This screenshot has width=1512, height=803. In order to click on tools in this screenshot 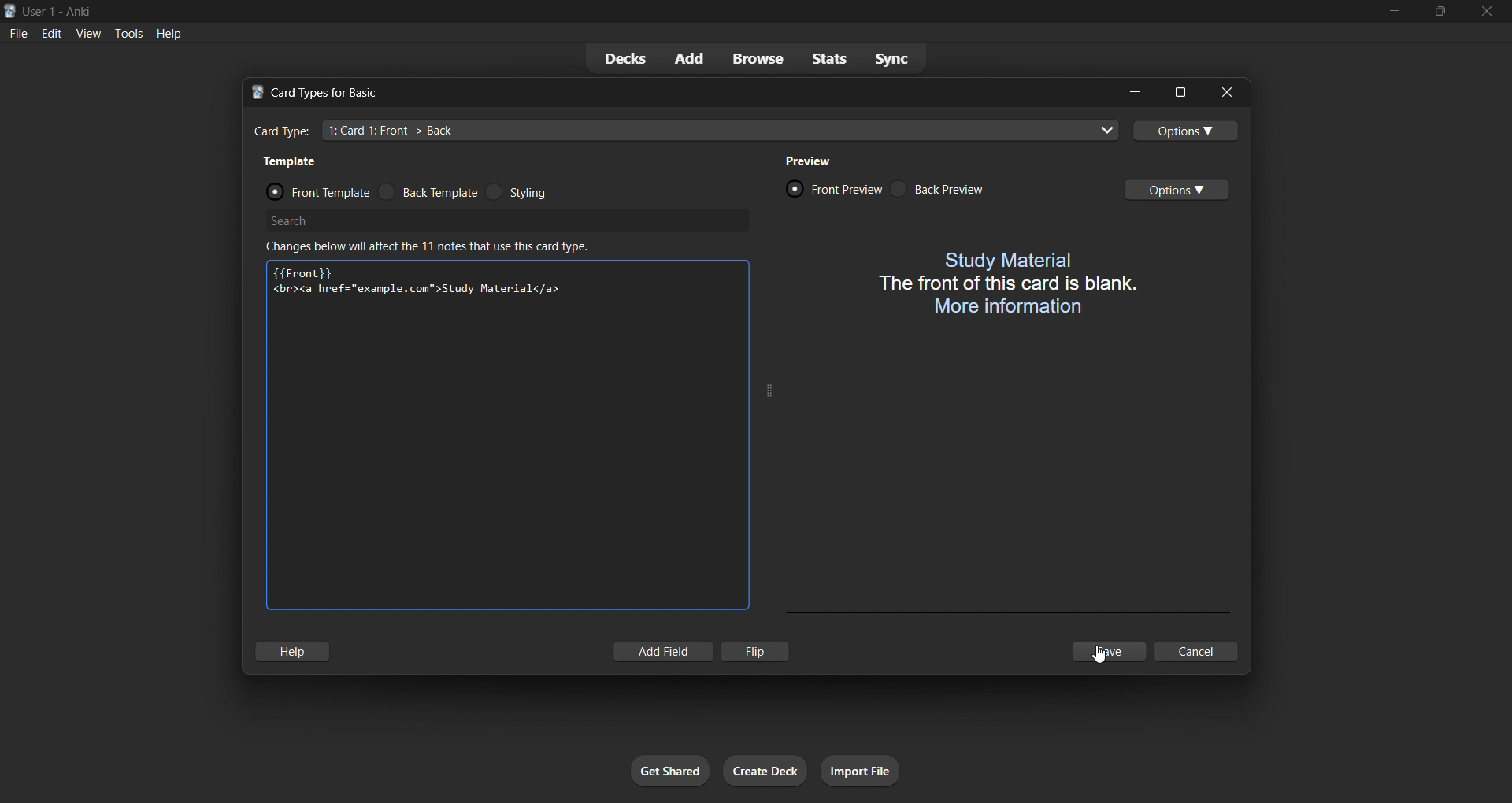, I will do `click(126, 35)`.